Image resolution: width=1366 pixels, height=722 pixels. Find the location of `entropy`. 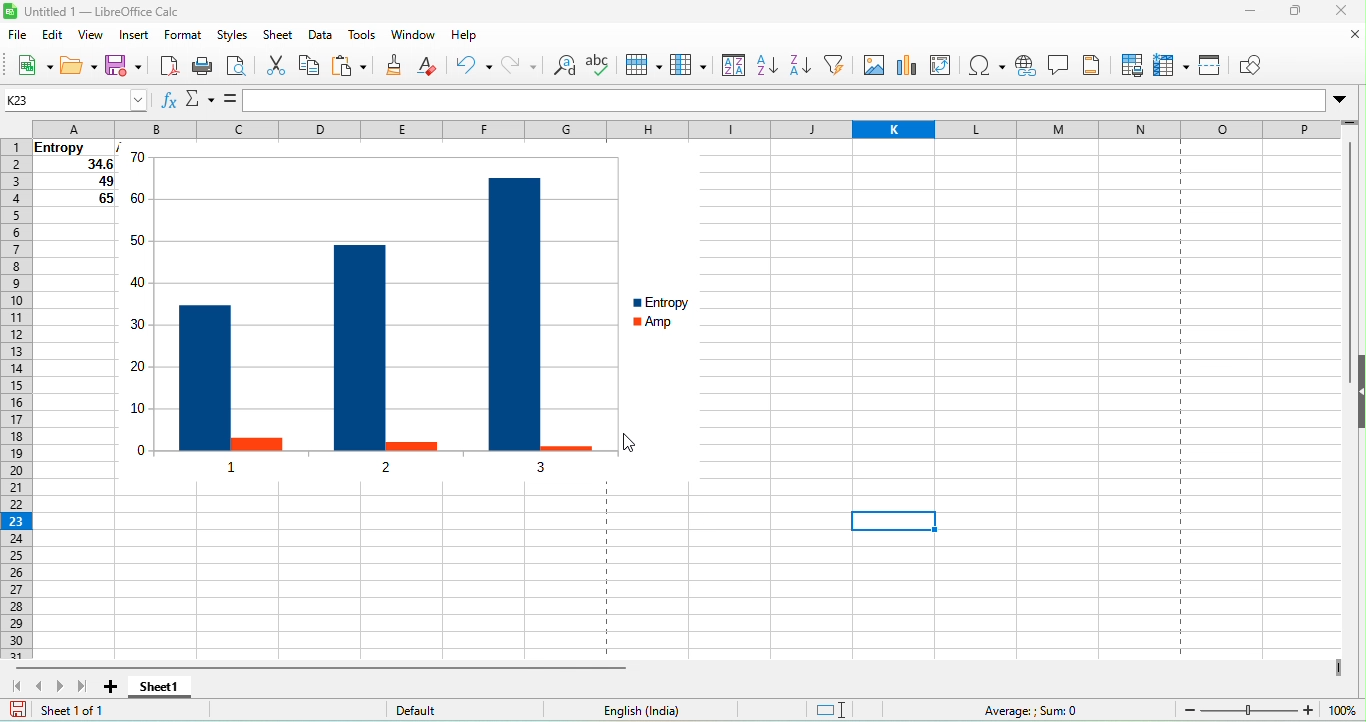

entropy is located at coordinates (70, 147).